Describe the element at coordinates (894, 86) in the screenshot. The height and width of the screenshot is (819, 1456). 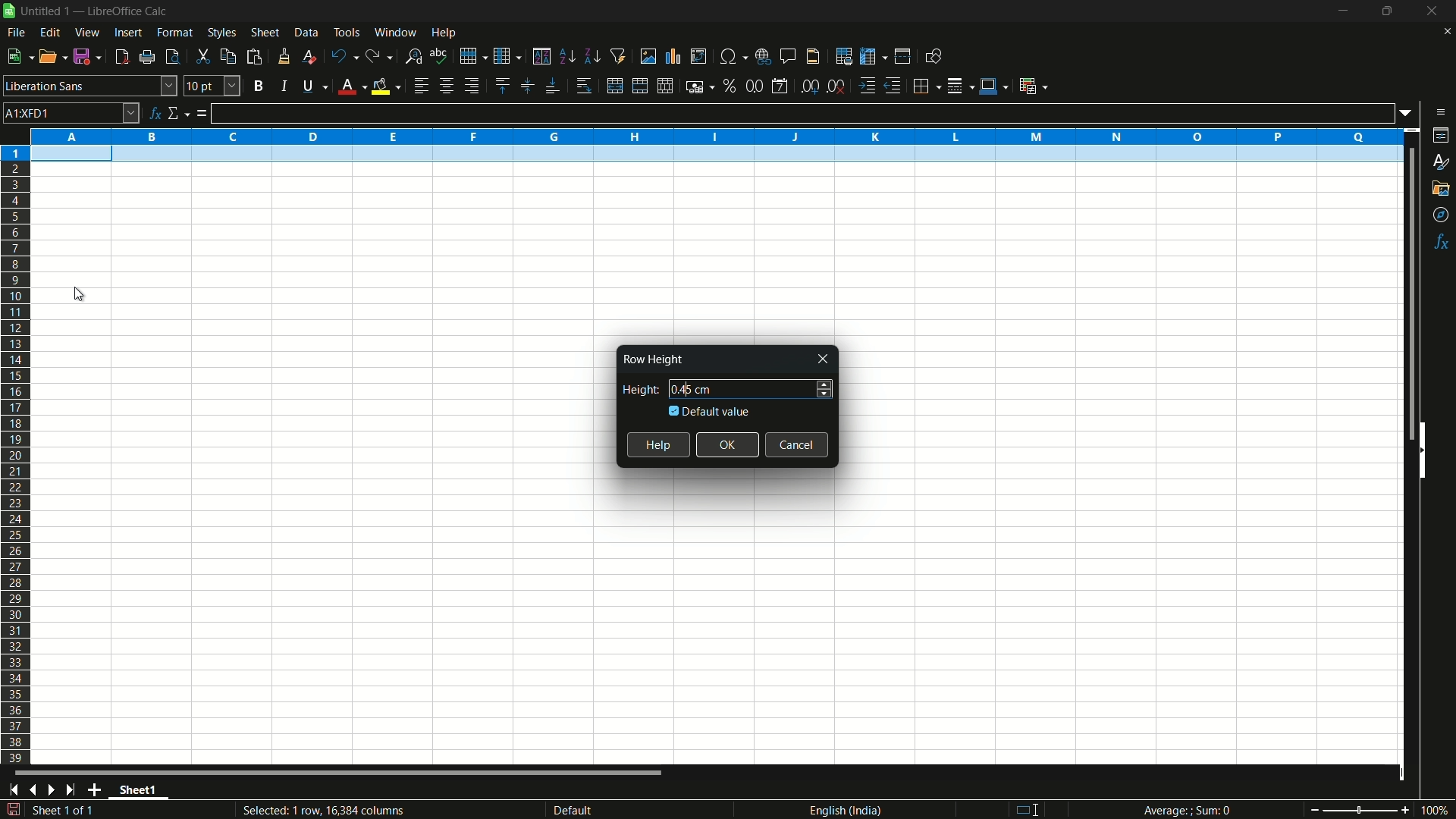
I see `decrease indentation` at that location.